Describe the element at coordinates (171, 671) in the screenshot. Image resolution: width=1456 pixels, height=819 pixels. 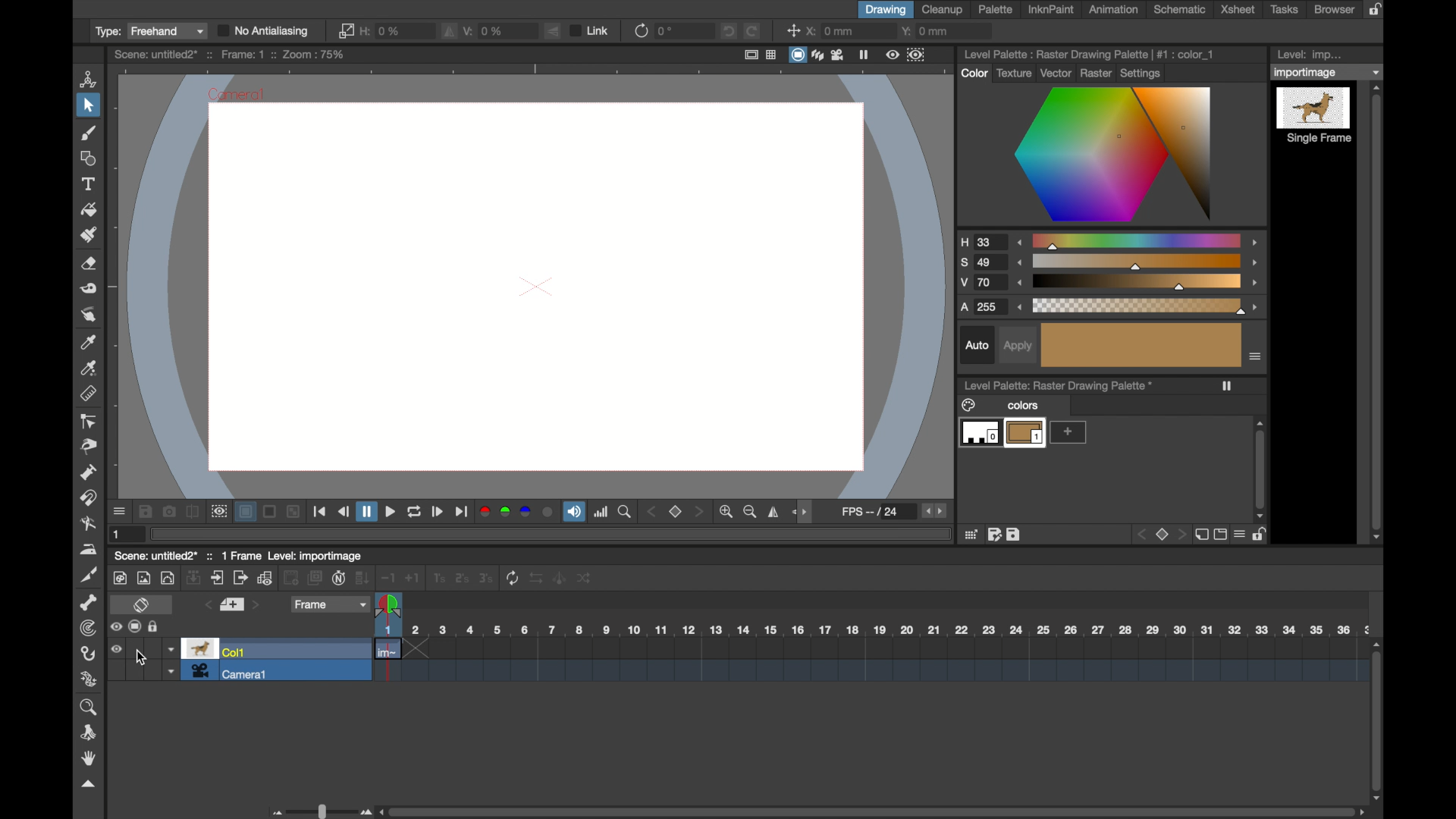
I see `dropdown` at that location.